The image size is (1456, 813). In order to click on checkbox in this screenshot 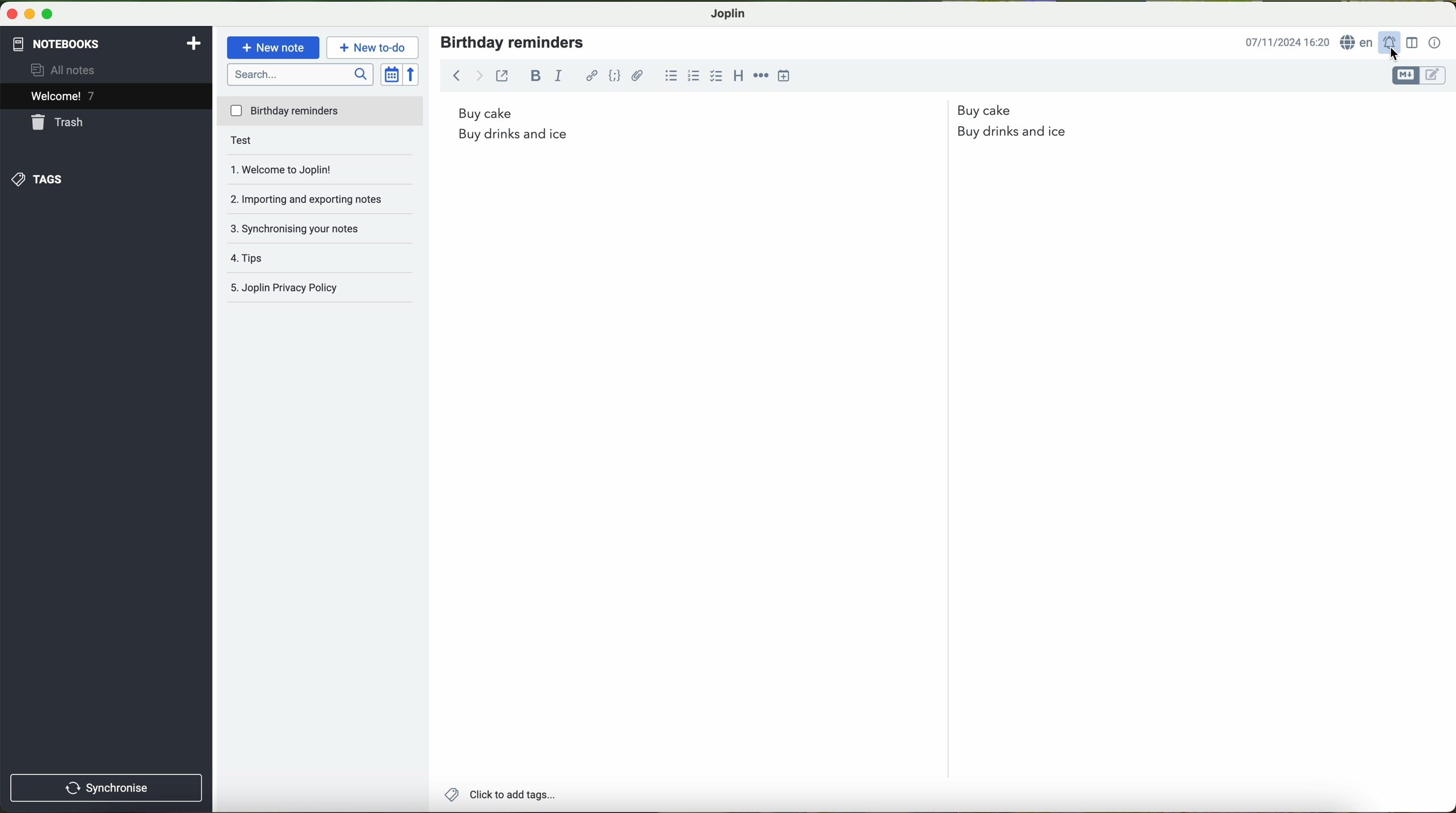, I will do `click(716, 75)`.